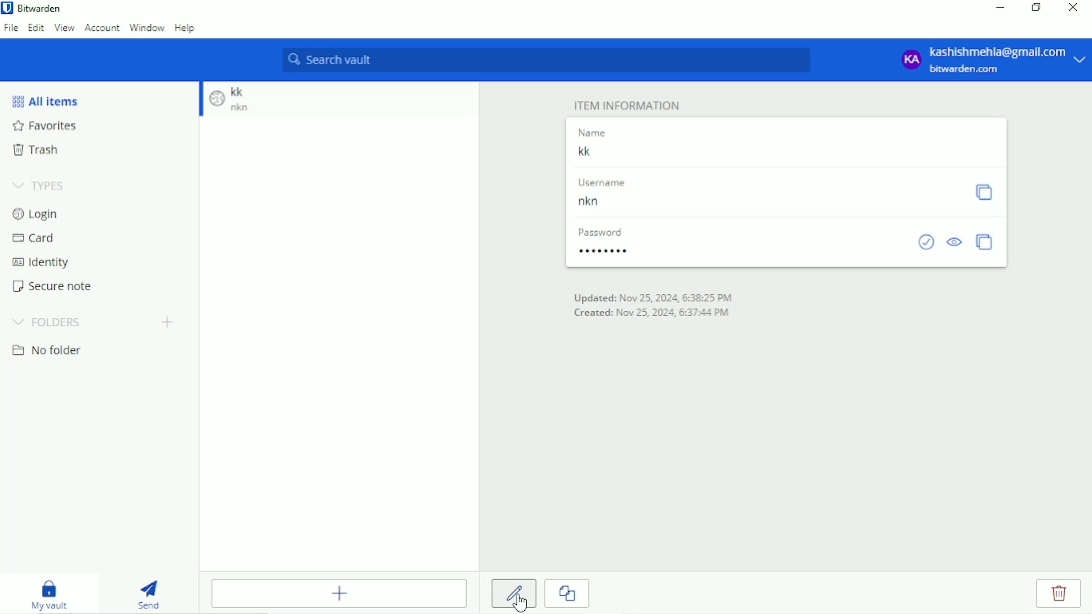 The image size is (1092, 614). What do you see at coordinates (36, 214) in the screenshot?
I see `Login` at bounding box center [36, 214].